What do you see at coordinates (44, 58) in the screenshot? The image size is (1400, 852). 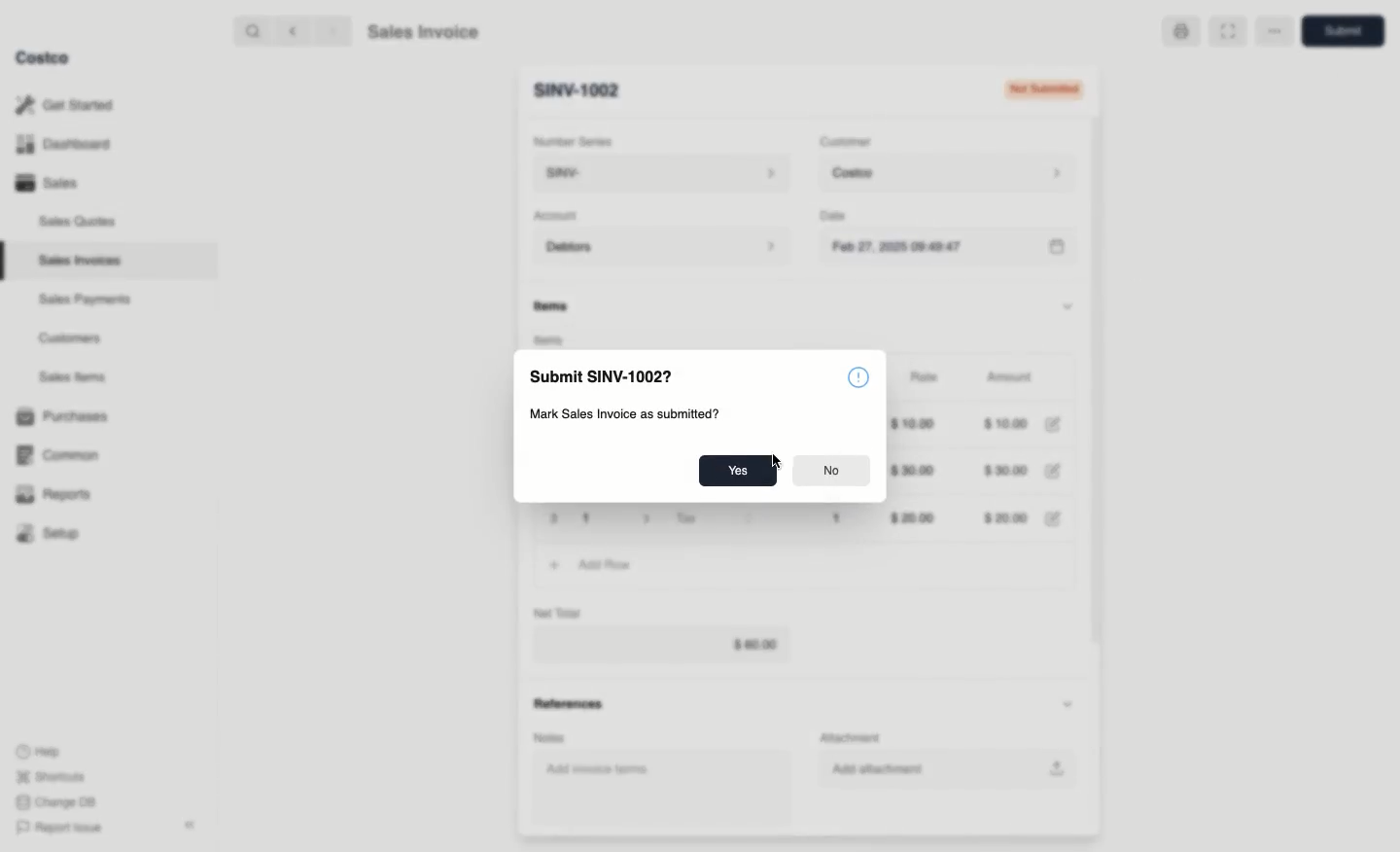 I see `Costco` at bounding box center [44, 58].